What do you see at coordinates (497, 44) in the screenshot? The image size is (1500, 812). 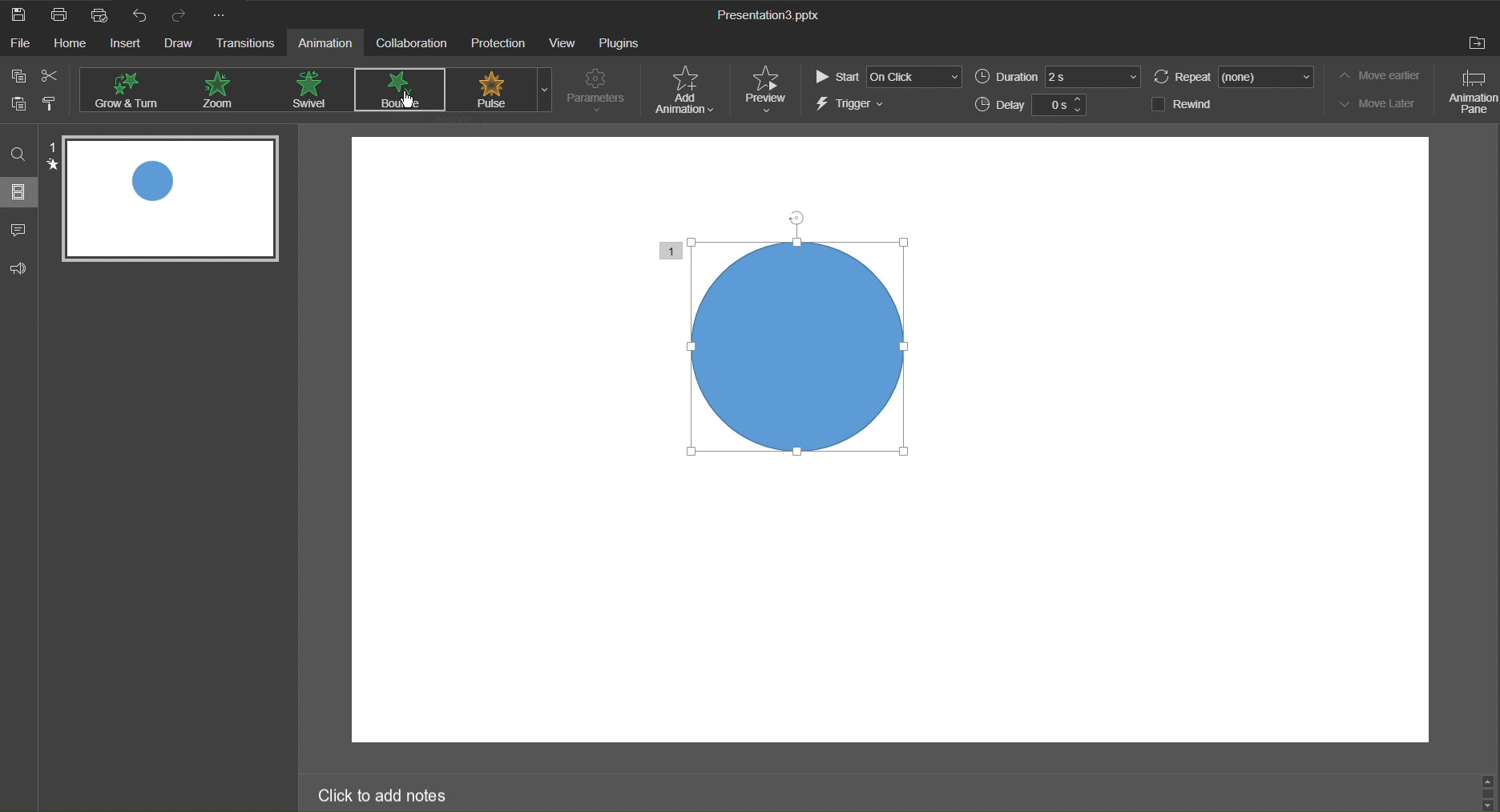 I see `Protection` at bounding box center [497, 44].